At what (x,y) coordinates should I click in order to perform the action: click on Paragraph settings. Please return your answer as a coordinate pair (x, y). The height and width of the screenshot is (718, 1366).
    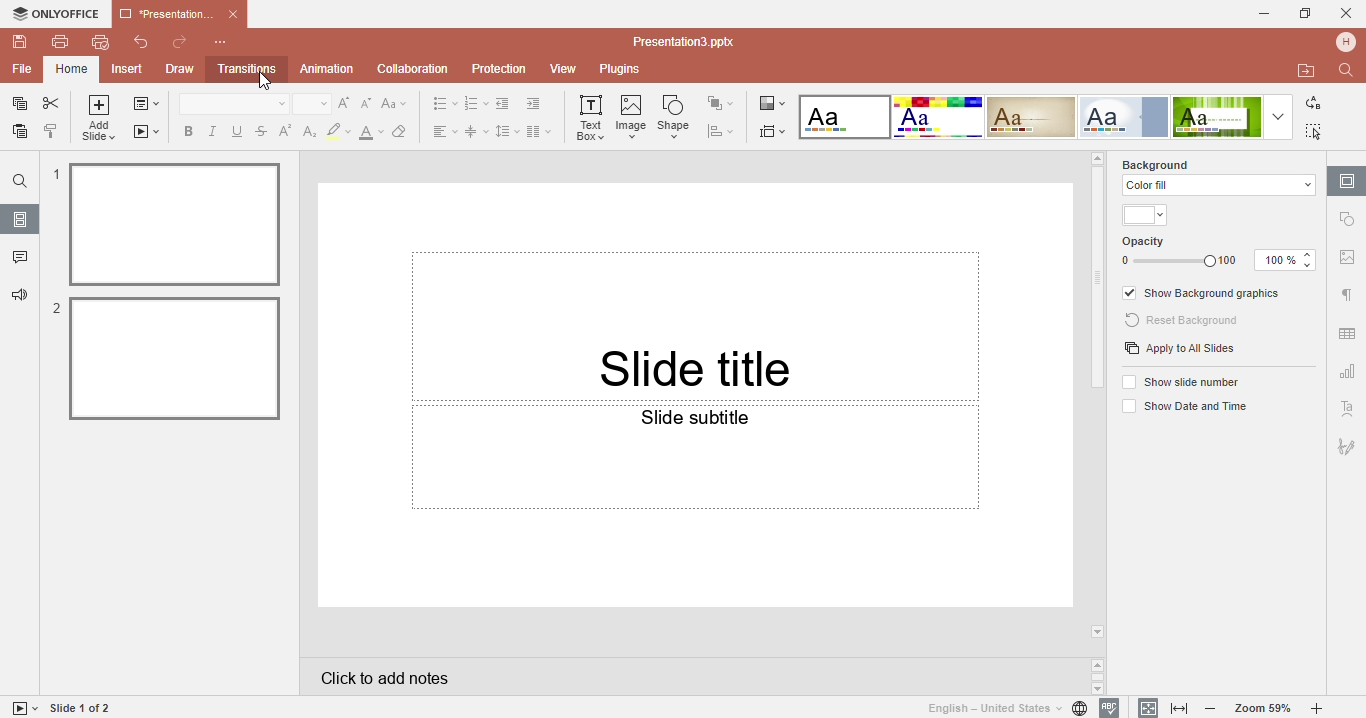
    Looking at the image, I should click on (1346, 295).